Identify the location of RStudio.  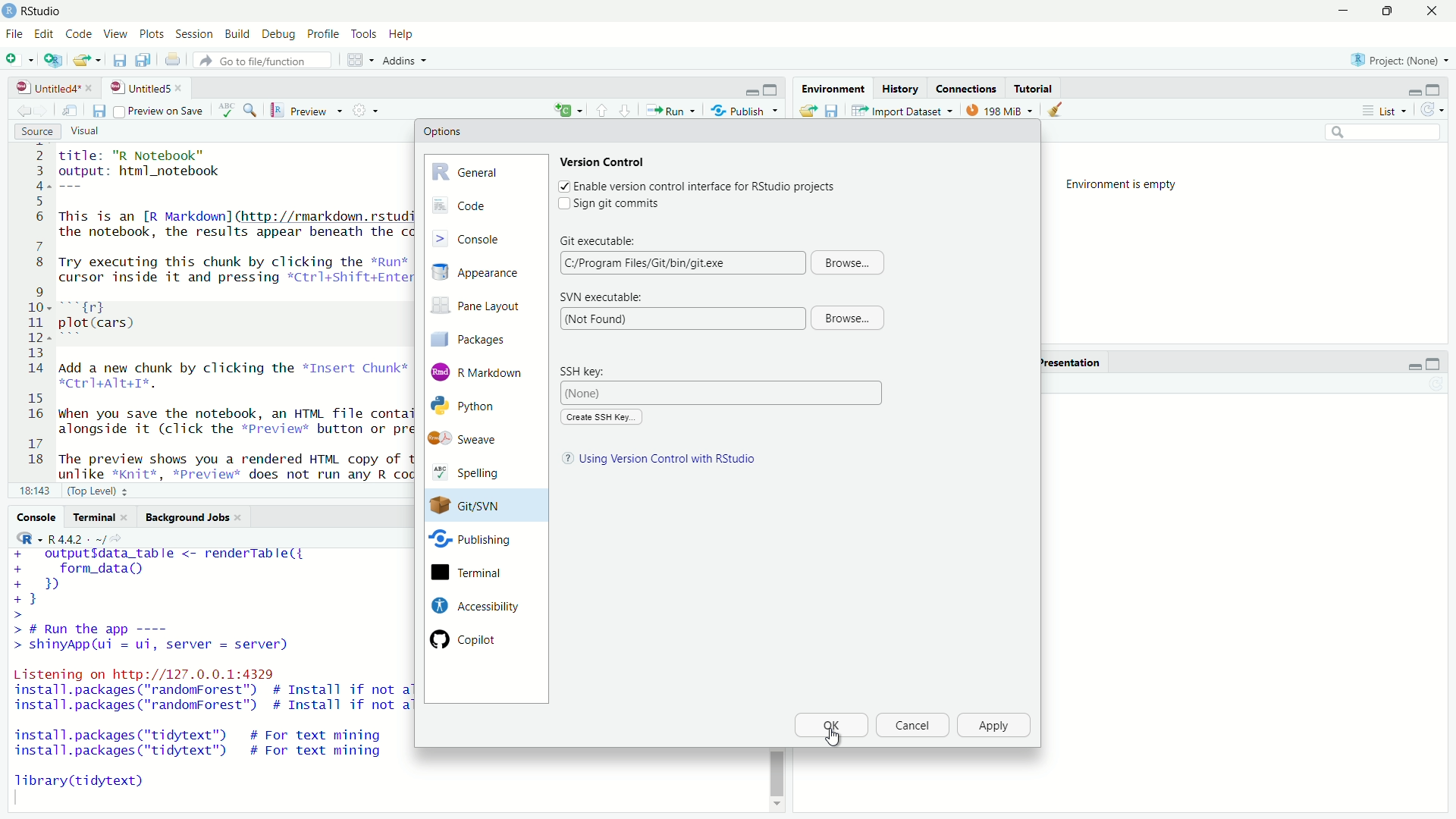
(44, 11).